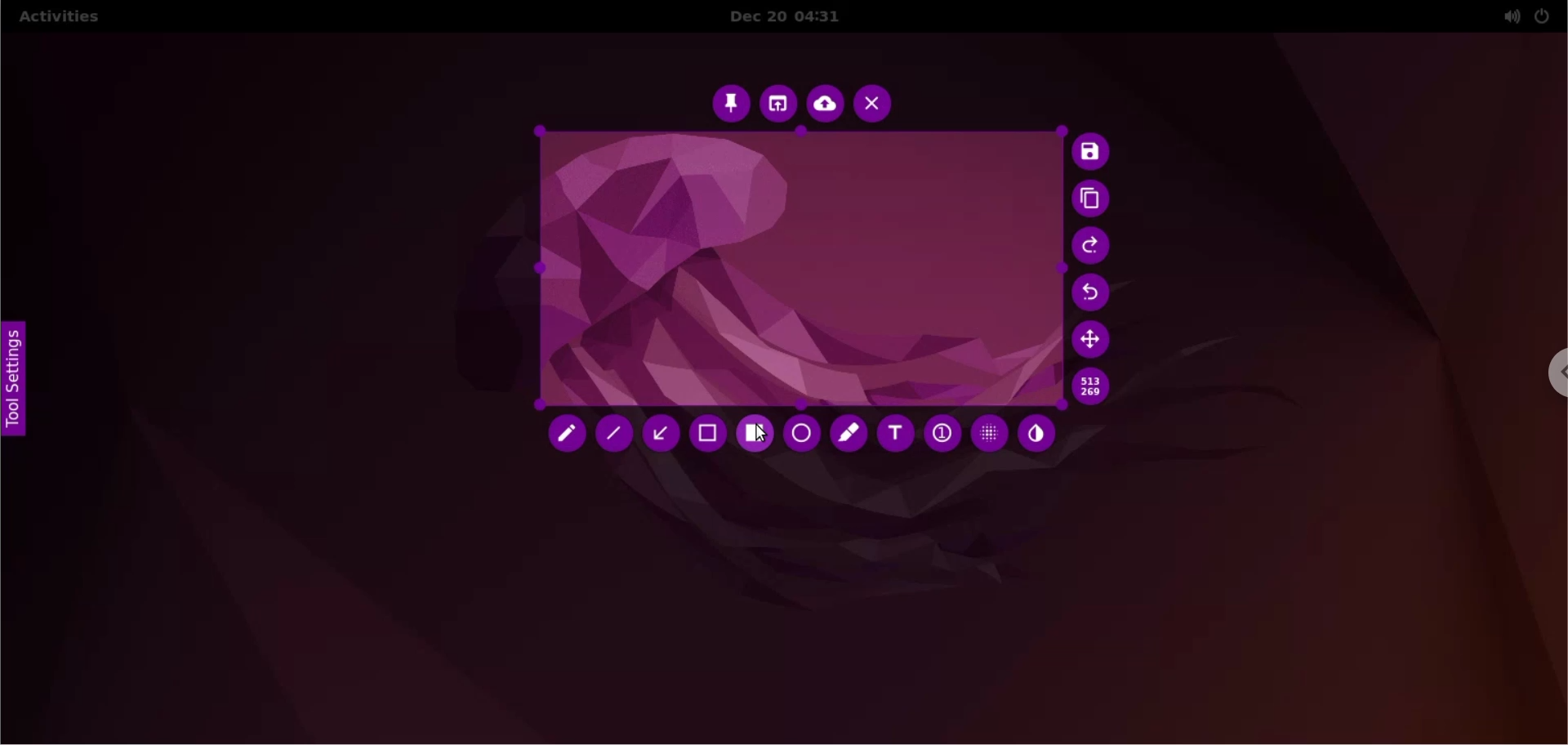 The height and width of the screenshot is (745, 1568). What do you see at coordinates (756, 435) in the screenshot?
I see `rectangle tool` at bounding box center [756, 435].